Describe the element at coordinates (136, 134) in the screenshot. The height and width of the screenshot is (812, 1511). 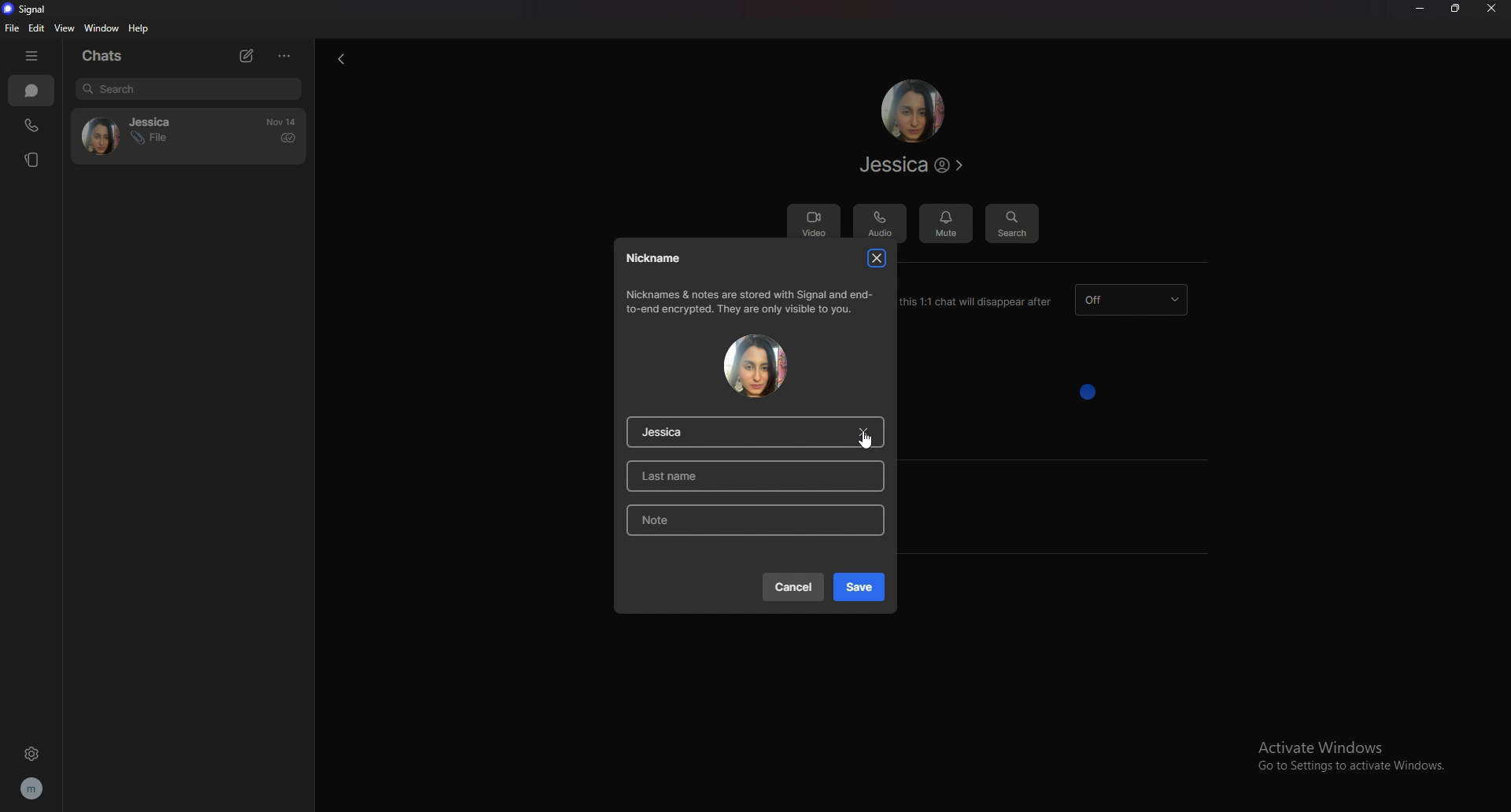
I see `contact` at that location.